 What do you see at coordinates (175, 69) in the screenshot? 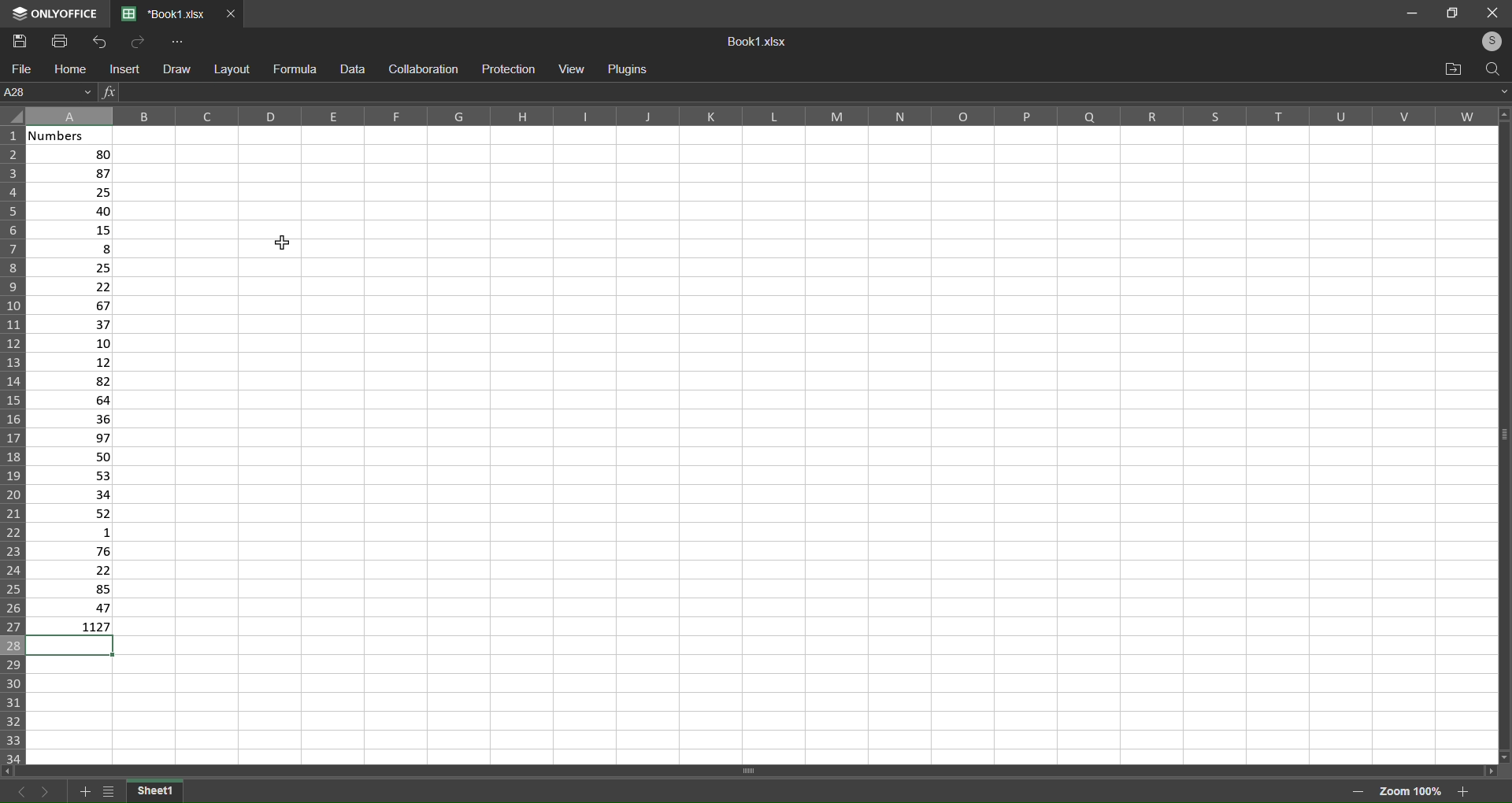
I see `draw` at bounding box center [175, 69].